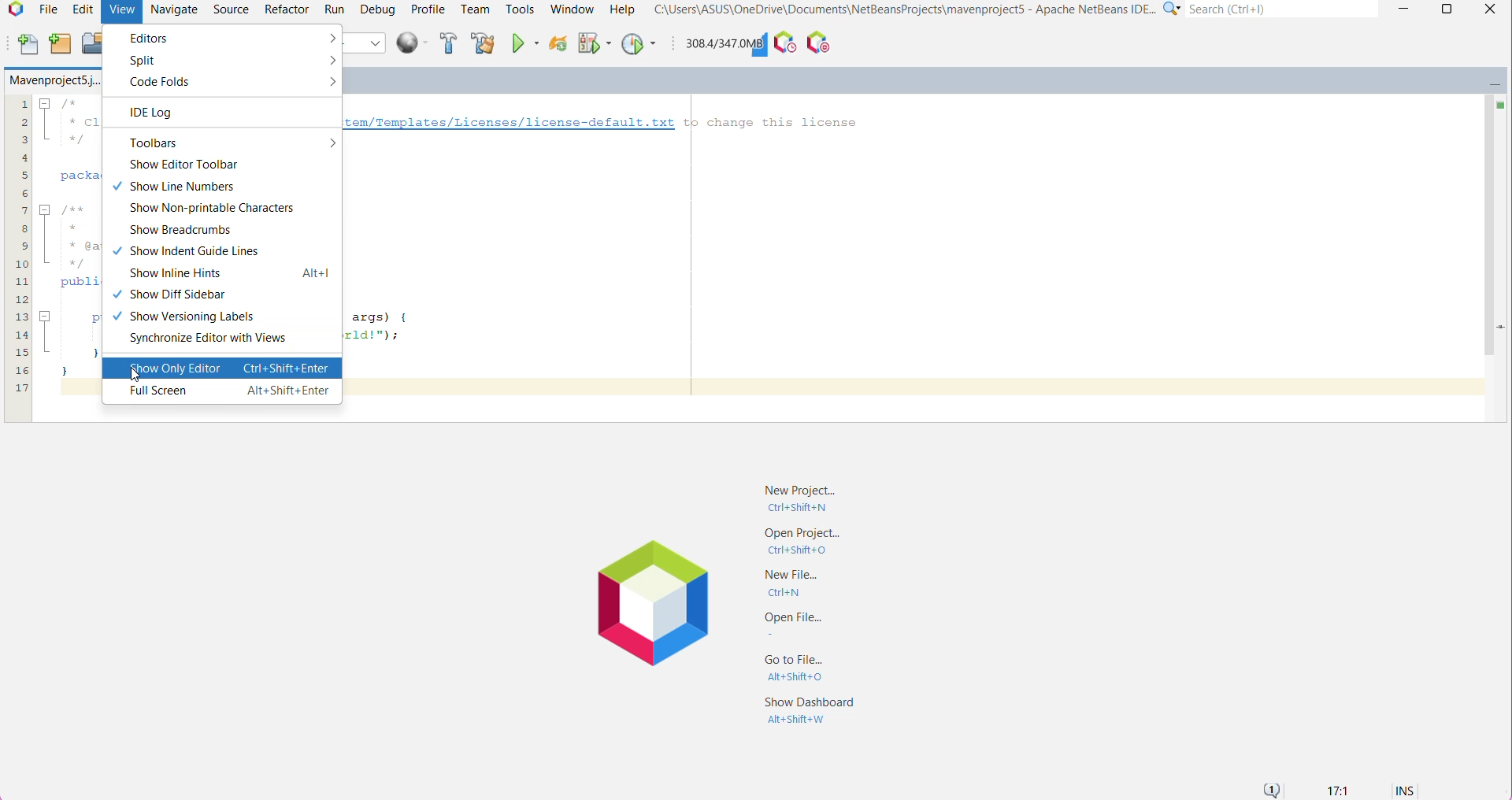 This screenshot has width=1512, height=800. Describe the element at coordinates (209, 316) in the screenshot. I see `Show Versioning Labels` at that location.